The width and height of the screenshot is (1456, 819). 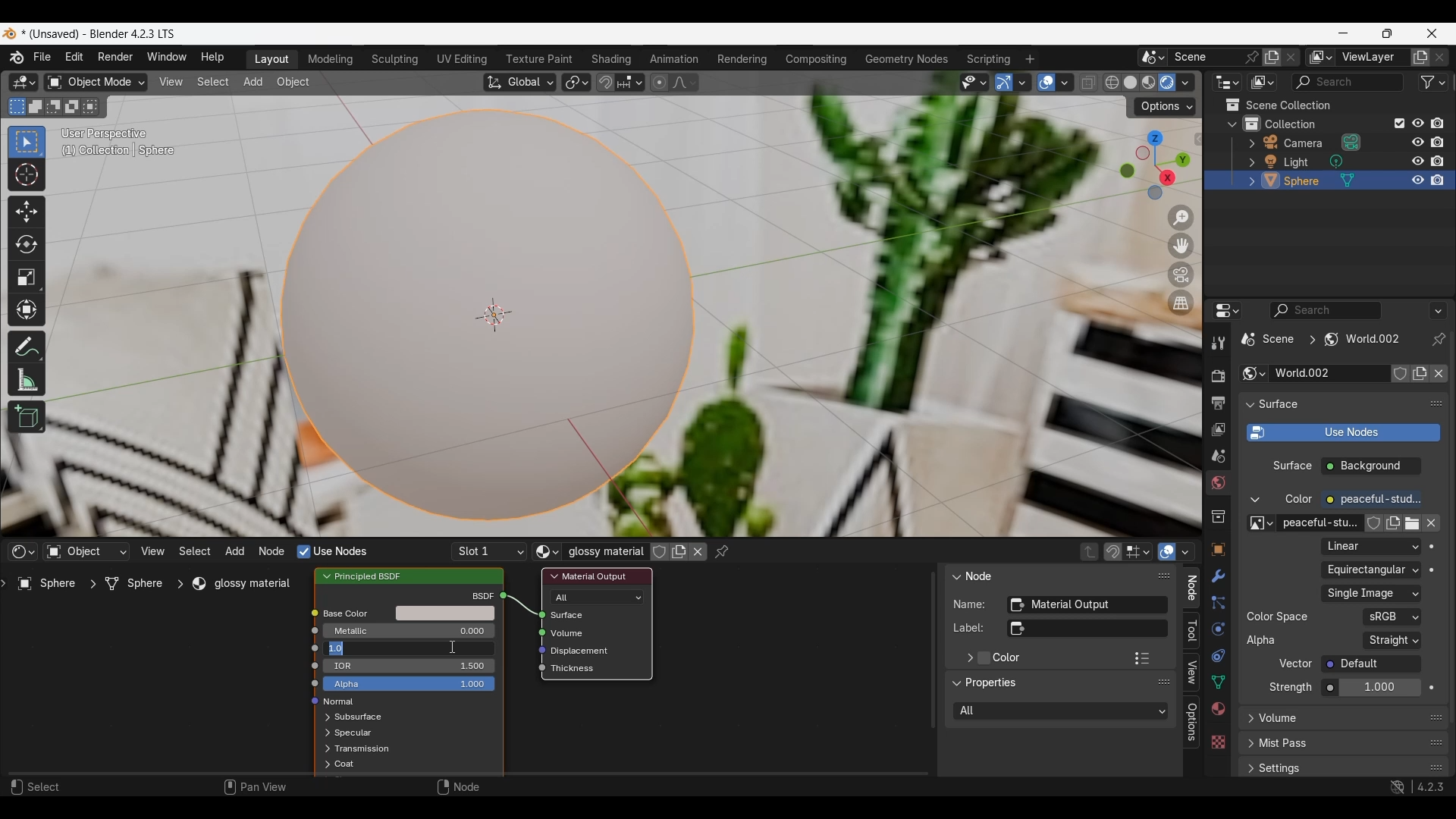 What do you see at coordinates (35, 107) in the screenshot?
I see `Extend existing selection` at bounding box center [35, 107].